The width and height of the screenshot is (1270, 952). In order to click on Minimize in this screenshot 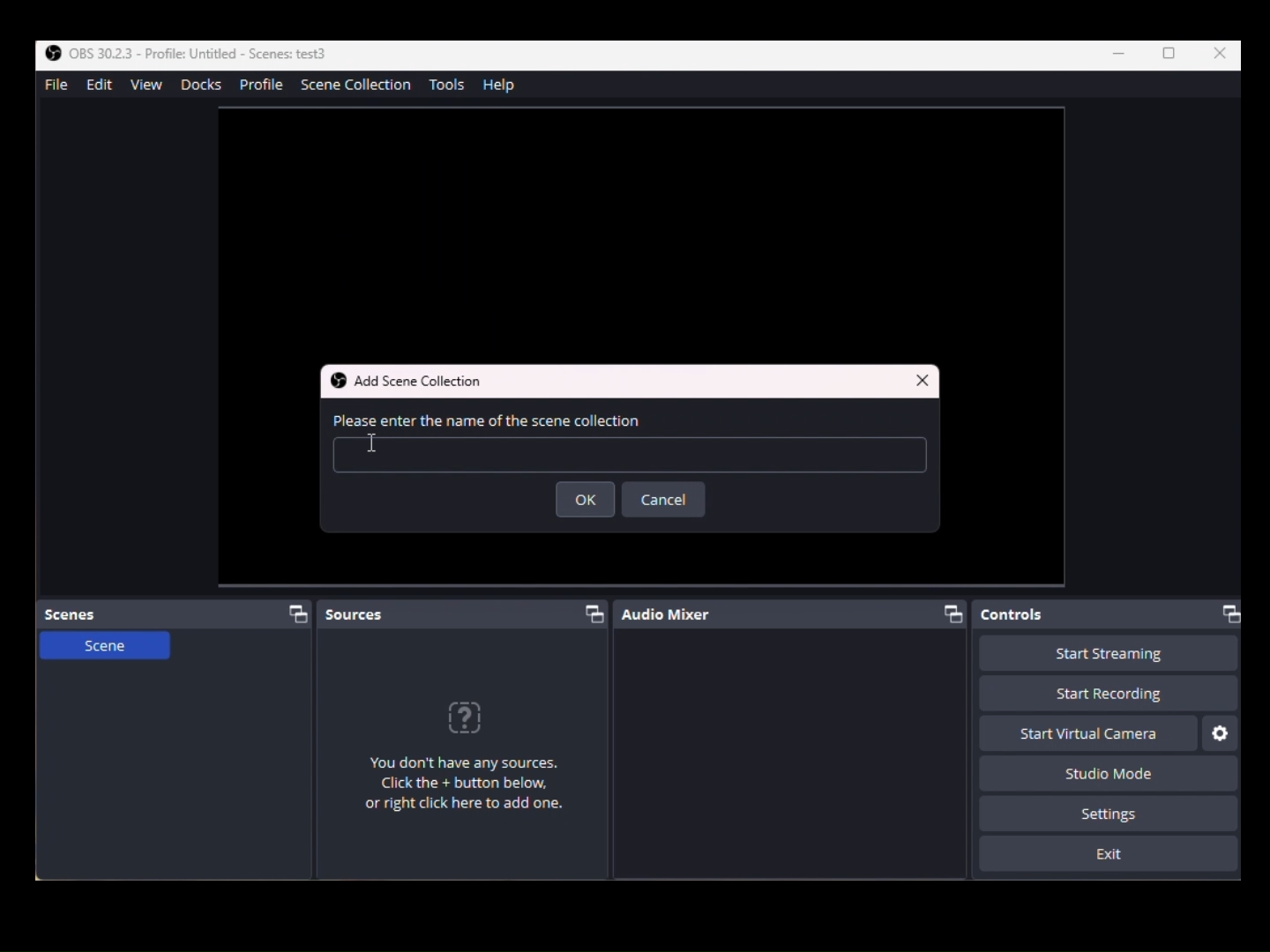, I will do `click(1122, 55)`.